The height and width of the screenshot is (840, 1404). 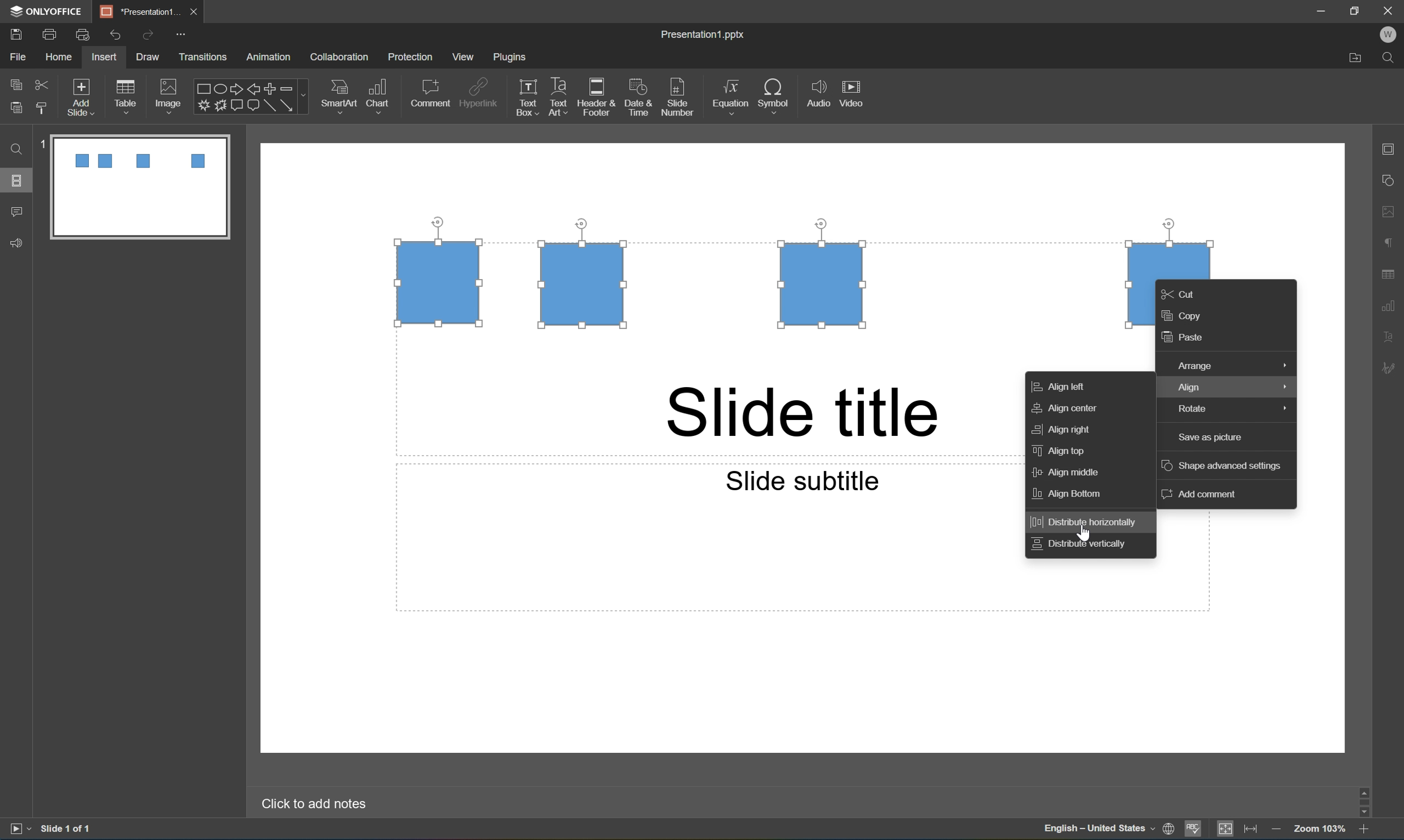 I want to click on customize quick access toolbar, so click(x=181, y=33).